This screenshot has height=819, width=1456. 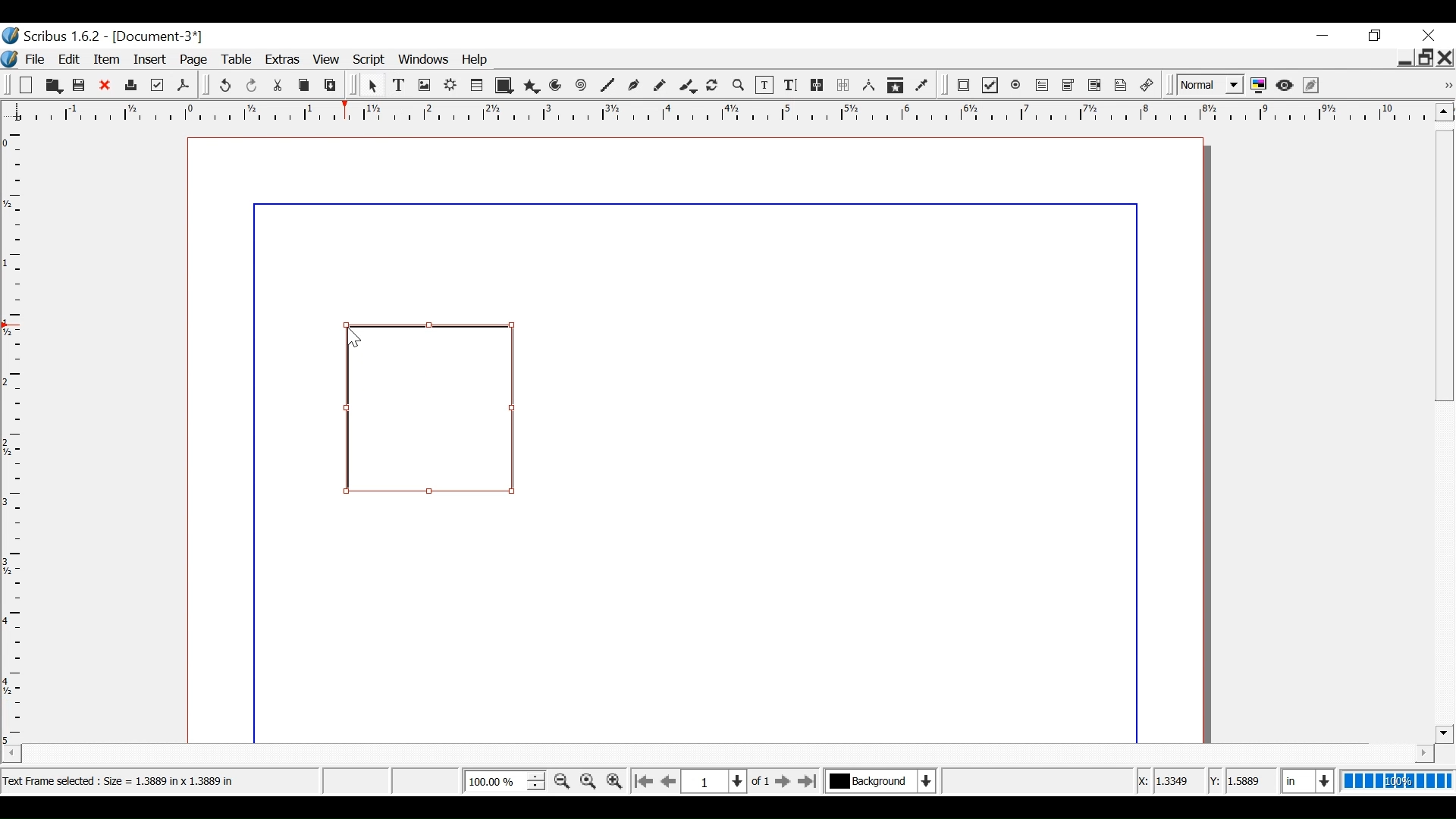 I want to click on Page, so click(x=194, y=60).